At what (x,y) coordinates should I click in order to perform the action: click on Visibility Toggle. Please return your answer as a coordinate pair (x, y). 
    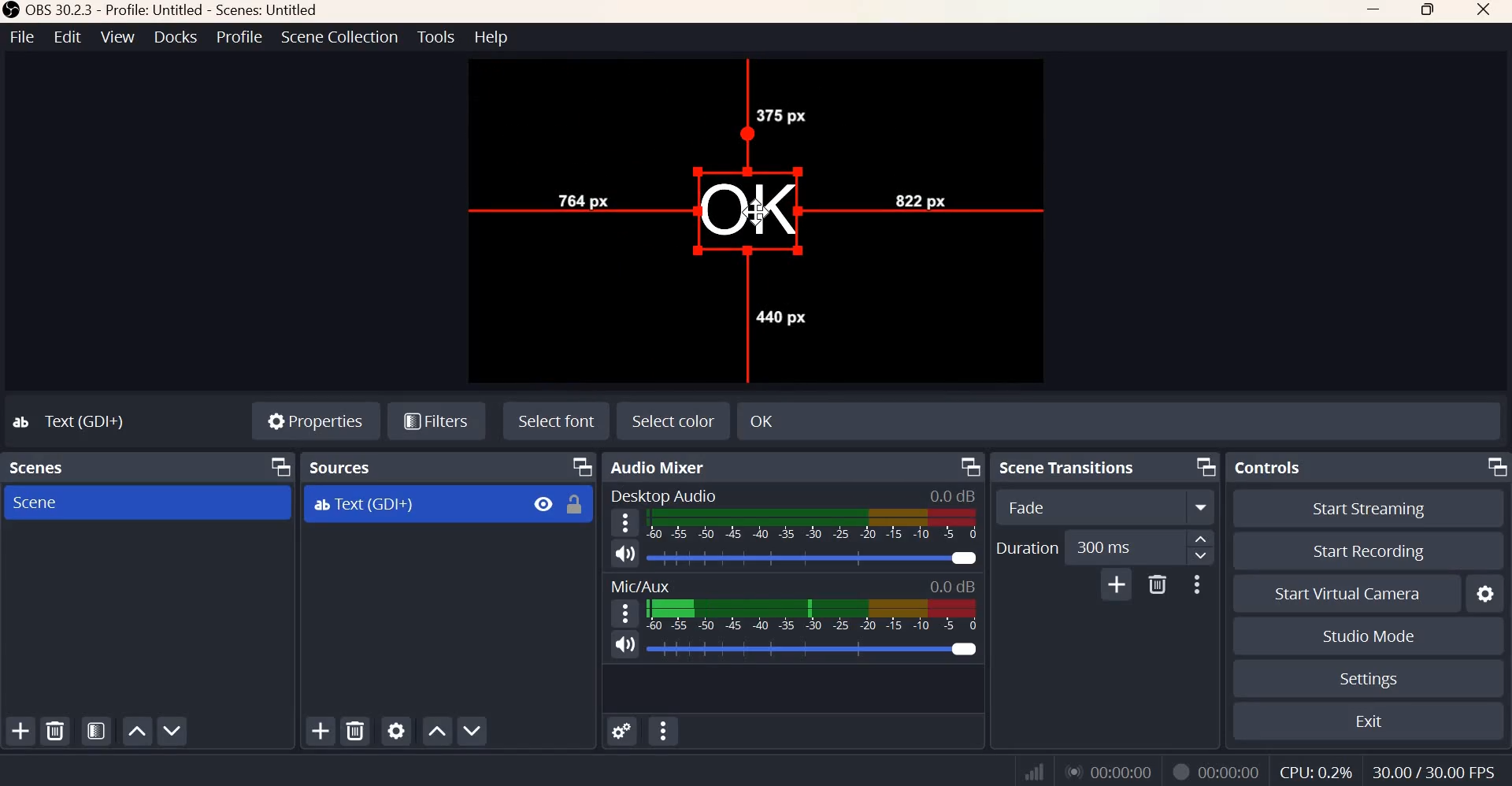
    Looking at the image, I should click on (543, 504).